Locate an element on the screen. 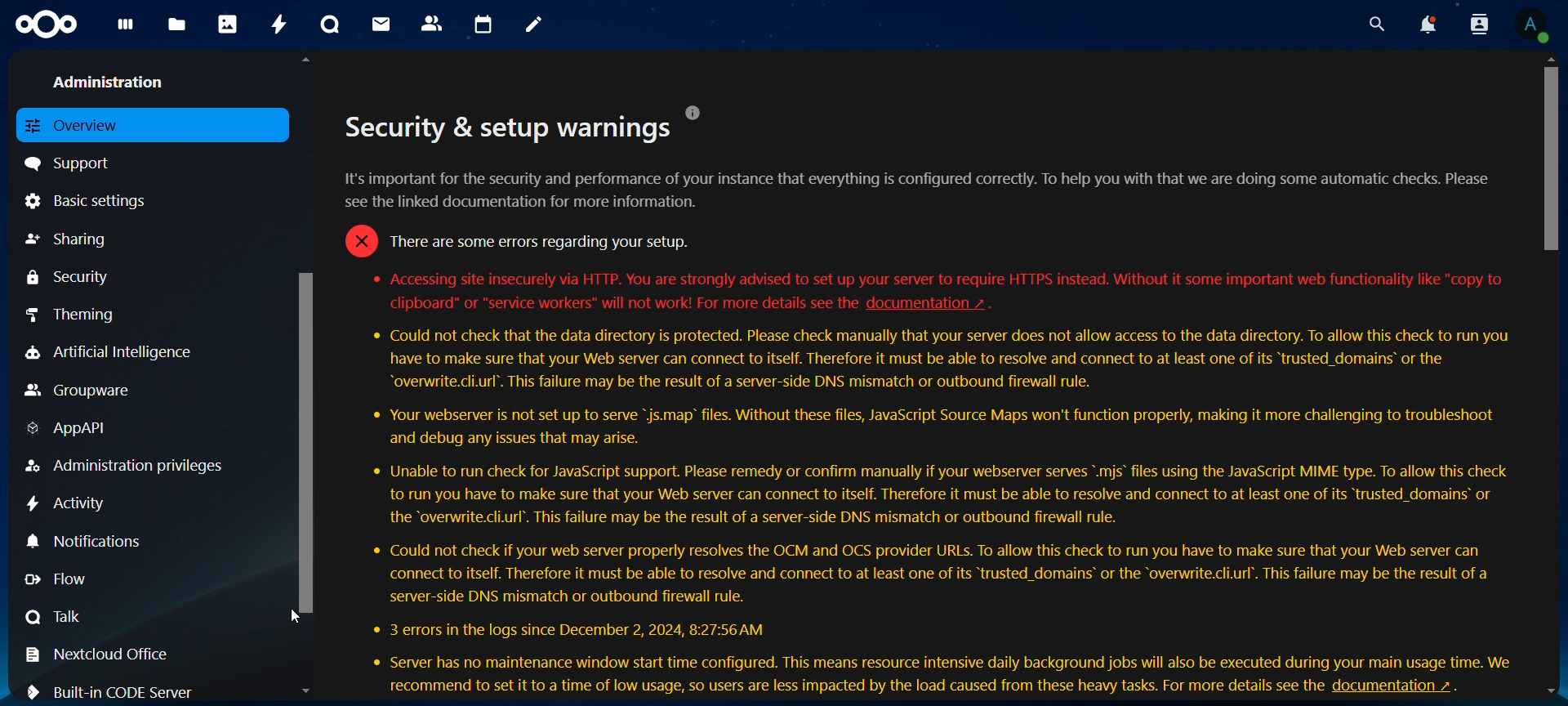 The width and height of the screenshot is (1568, 706). search is located at coordinates (1373, 25).